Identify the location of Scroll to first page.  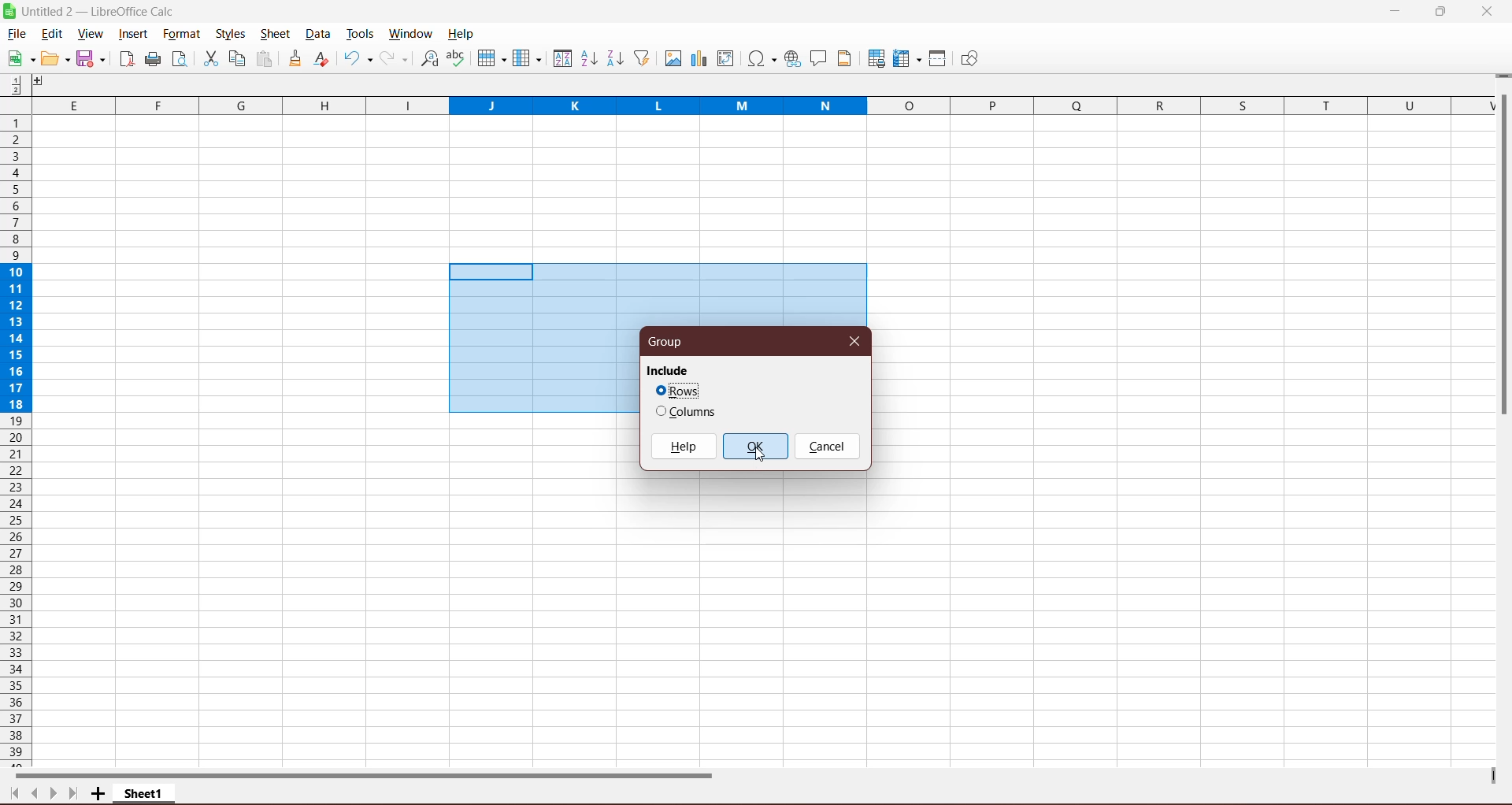
(11, 794).